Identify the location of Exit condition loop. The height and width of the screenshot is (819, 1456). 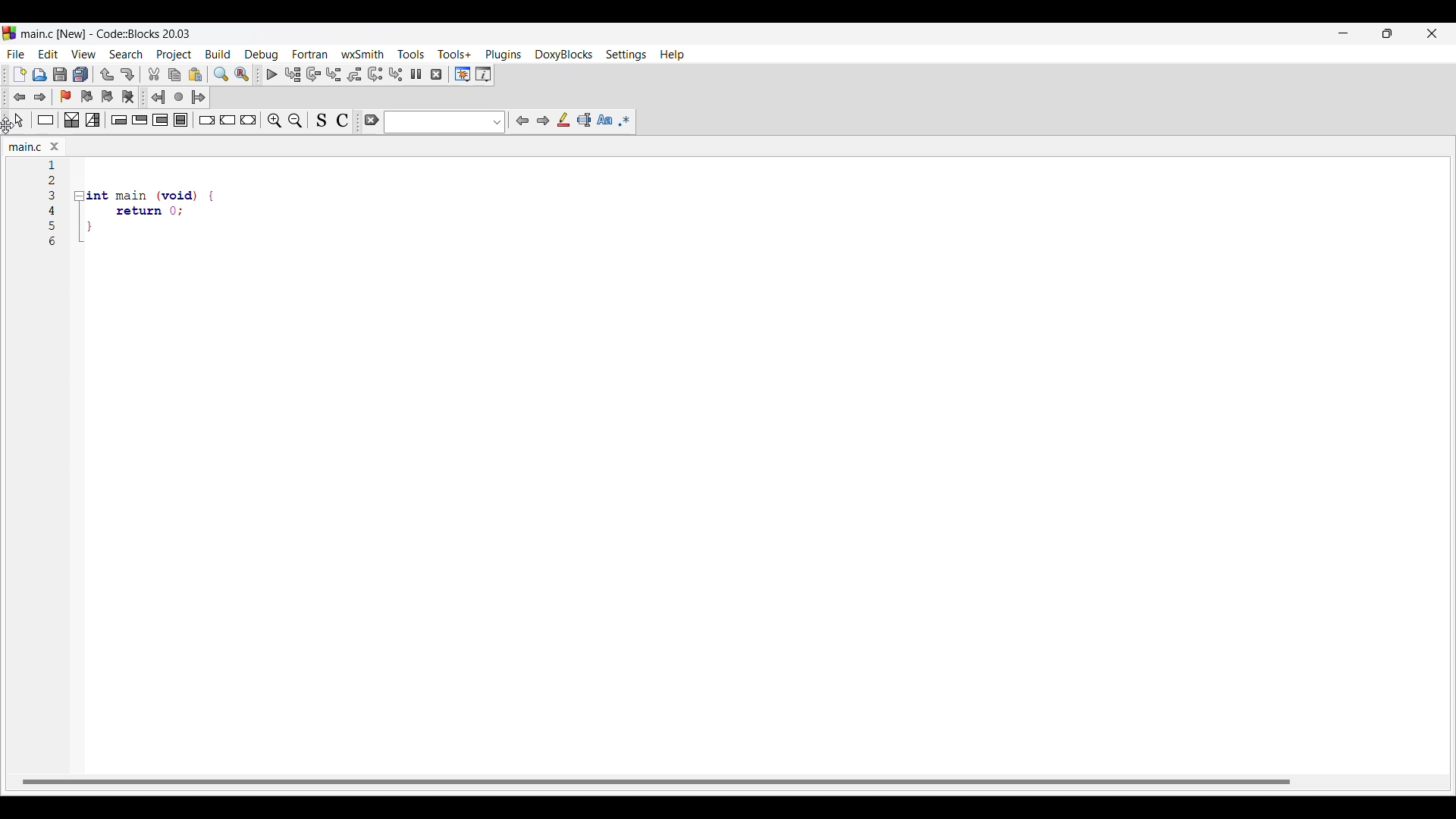
(140, 120).